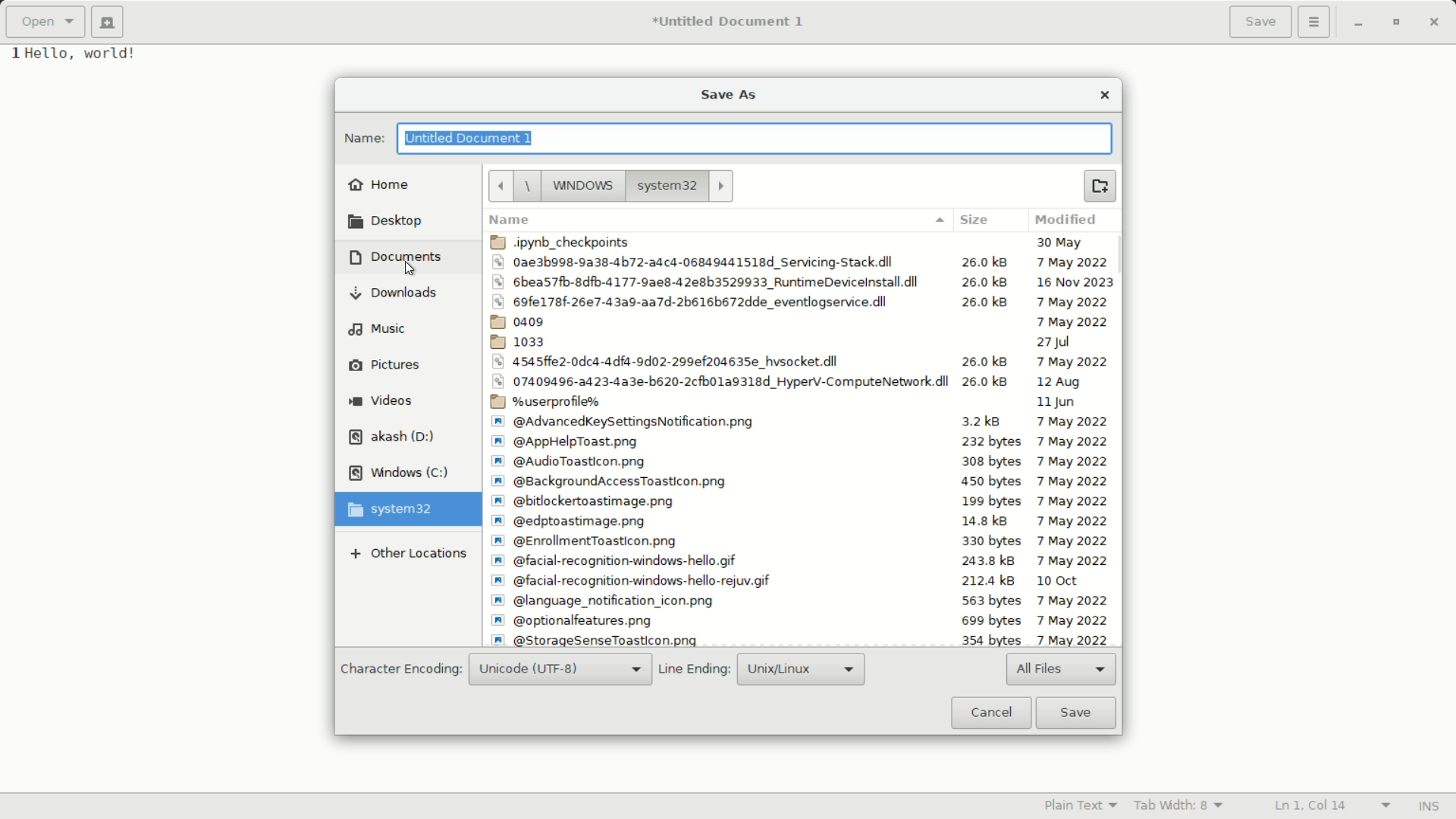 Image resolution: width=1456 pixels, height=819 pixels. What do you see at coordinates (798, 600) in the screenshot?
I see `File` at bounding box center [798, 600].